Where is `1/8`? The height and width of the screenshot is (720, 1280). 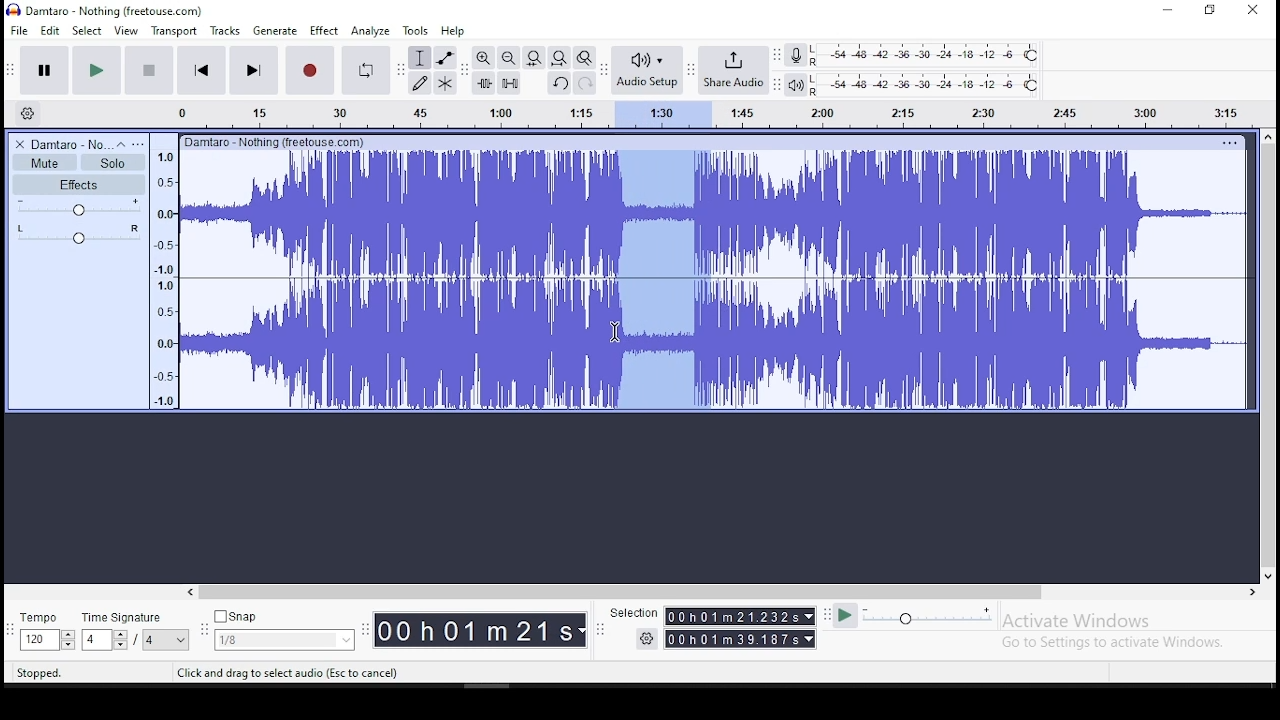
1/8 is located at coordinates (269, 640).